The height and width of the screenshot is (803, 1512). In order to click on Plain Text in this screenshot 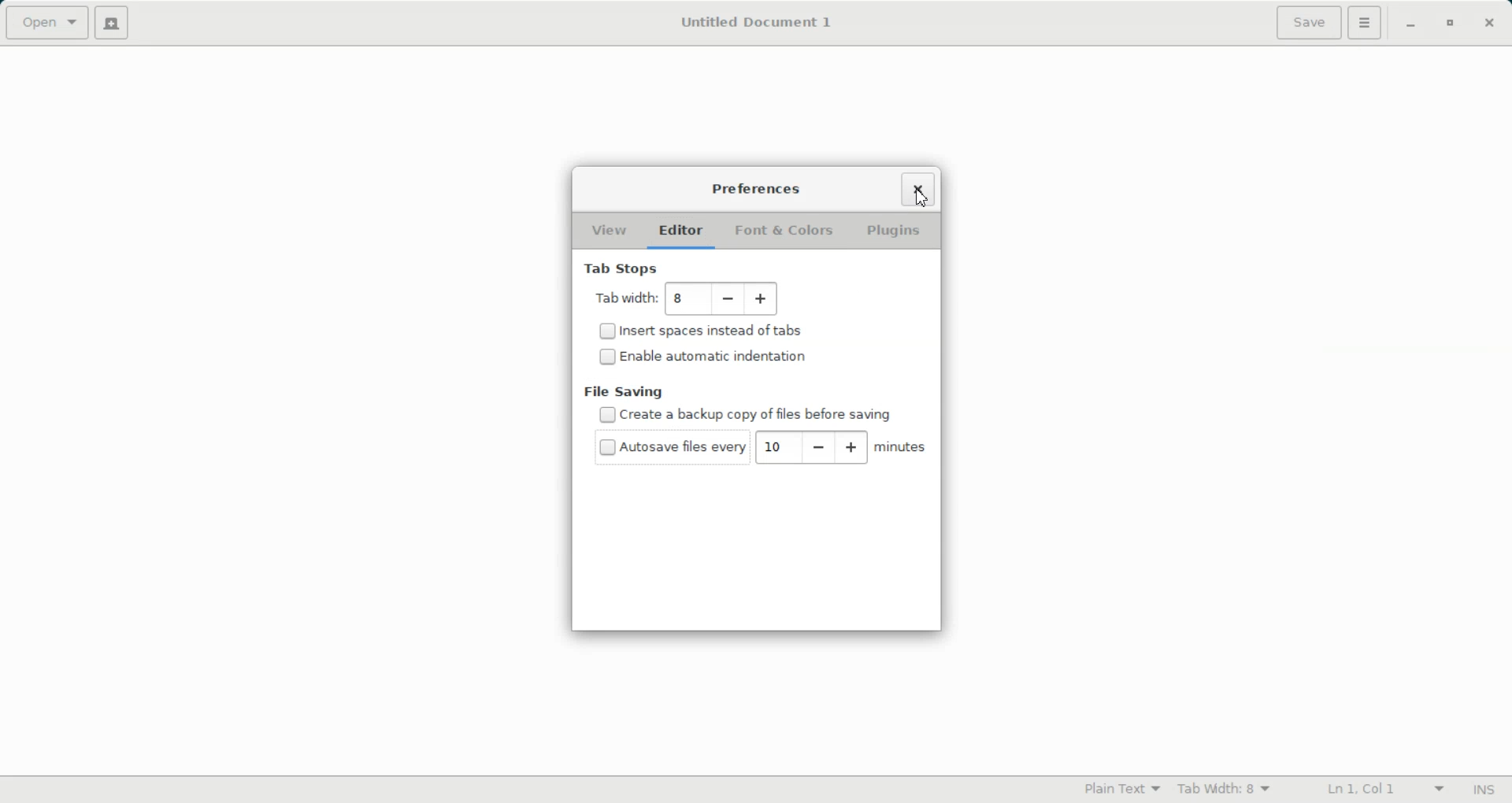, I will do `click(1121, 788)`.